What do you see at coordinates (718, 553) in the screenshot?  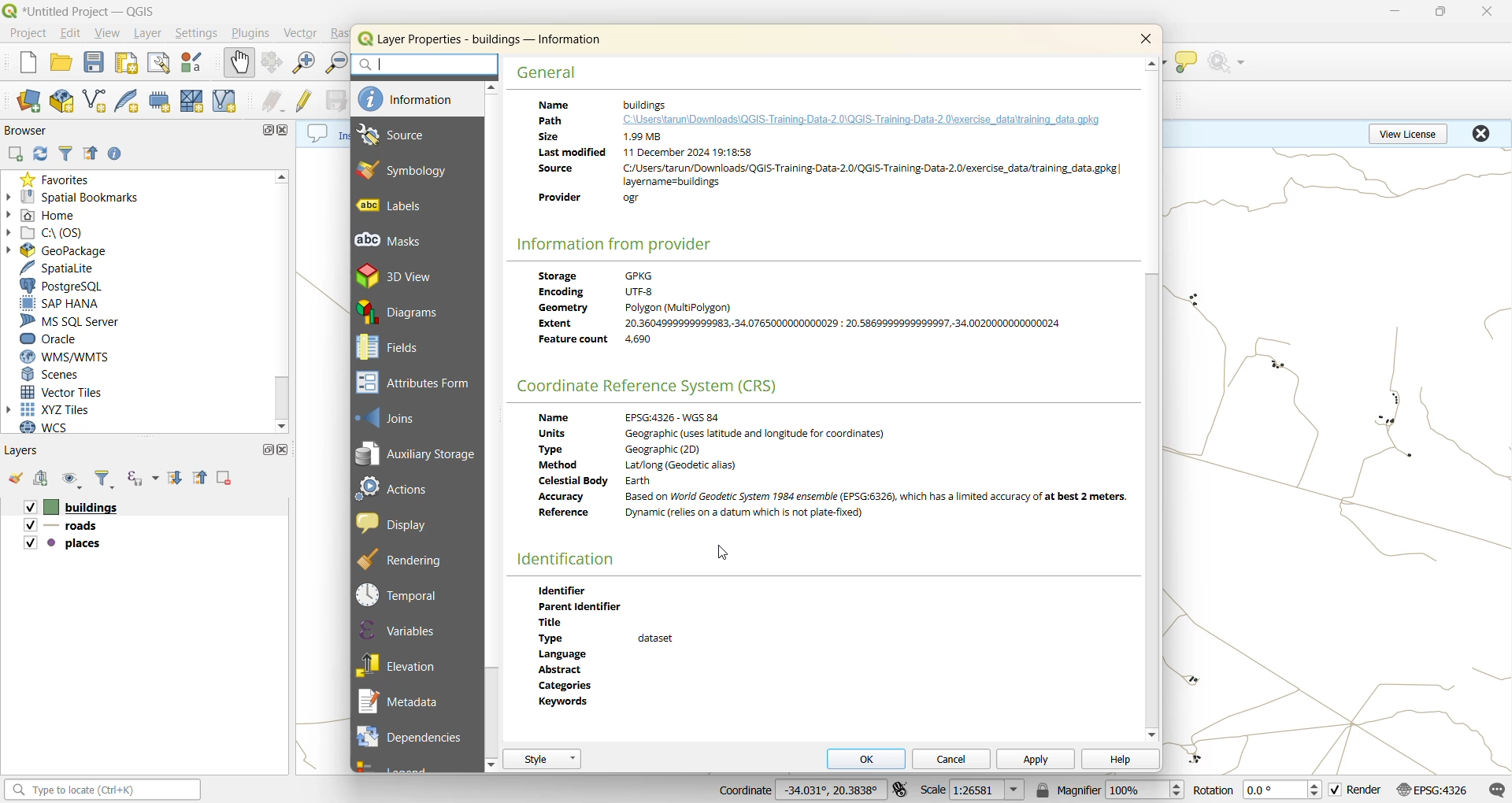 I see `cursor` at bounding box center [718, 553].